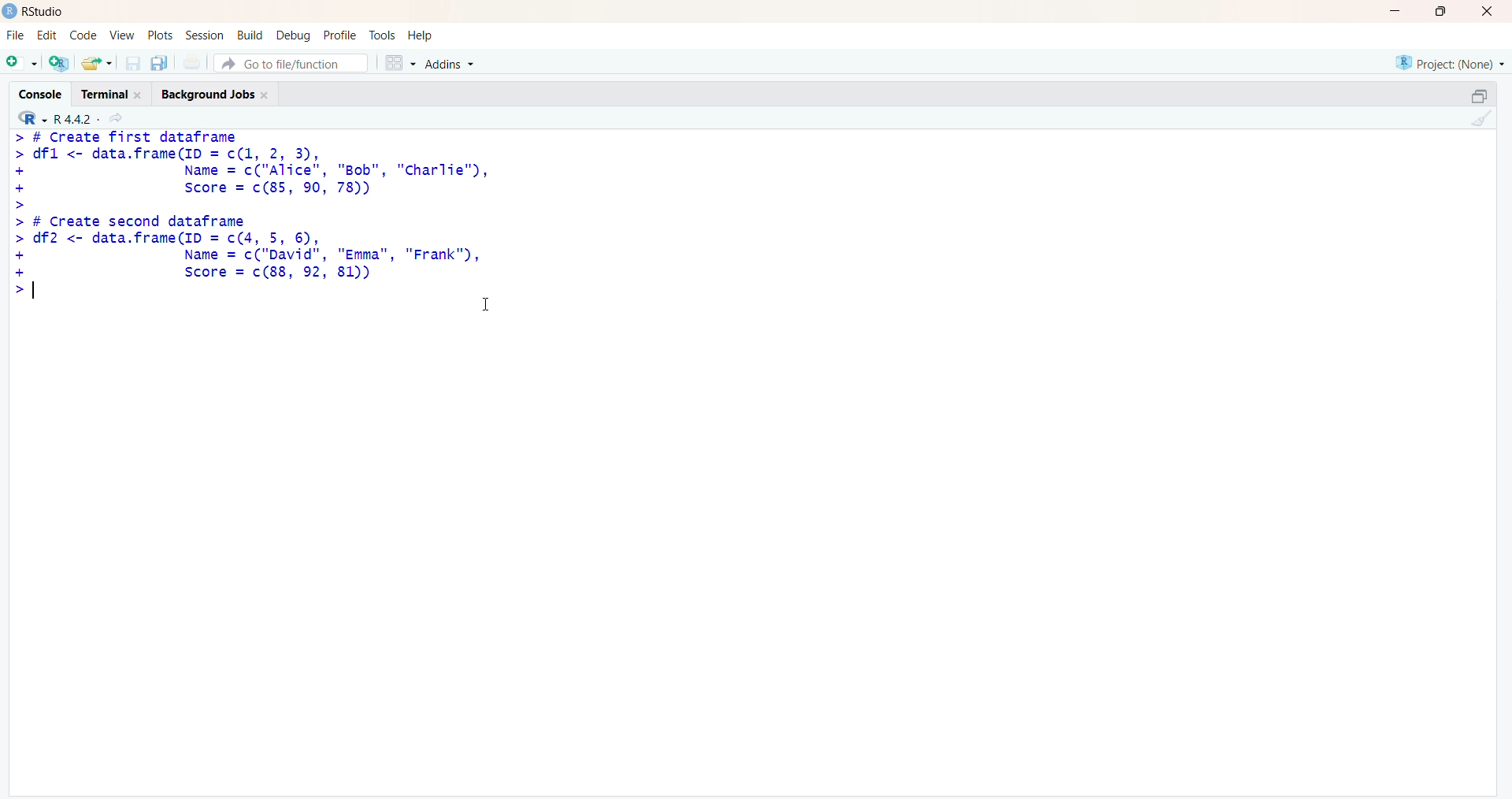 This screenshot has height=799, width=1512. I want to click on print, so click(193, 63).